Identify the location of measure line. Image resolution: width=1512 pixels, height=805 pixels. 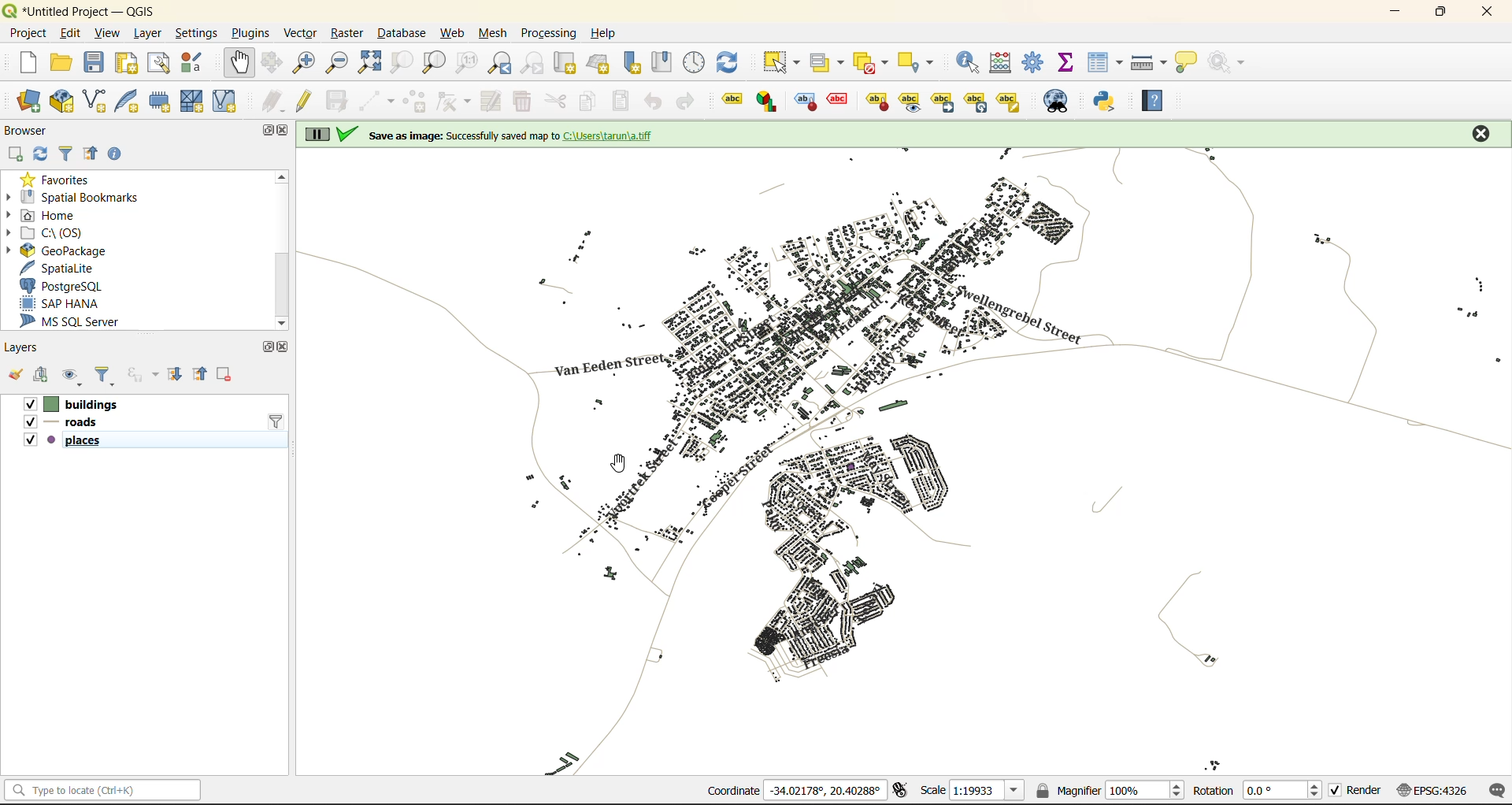
(1149, 61).